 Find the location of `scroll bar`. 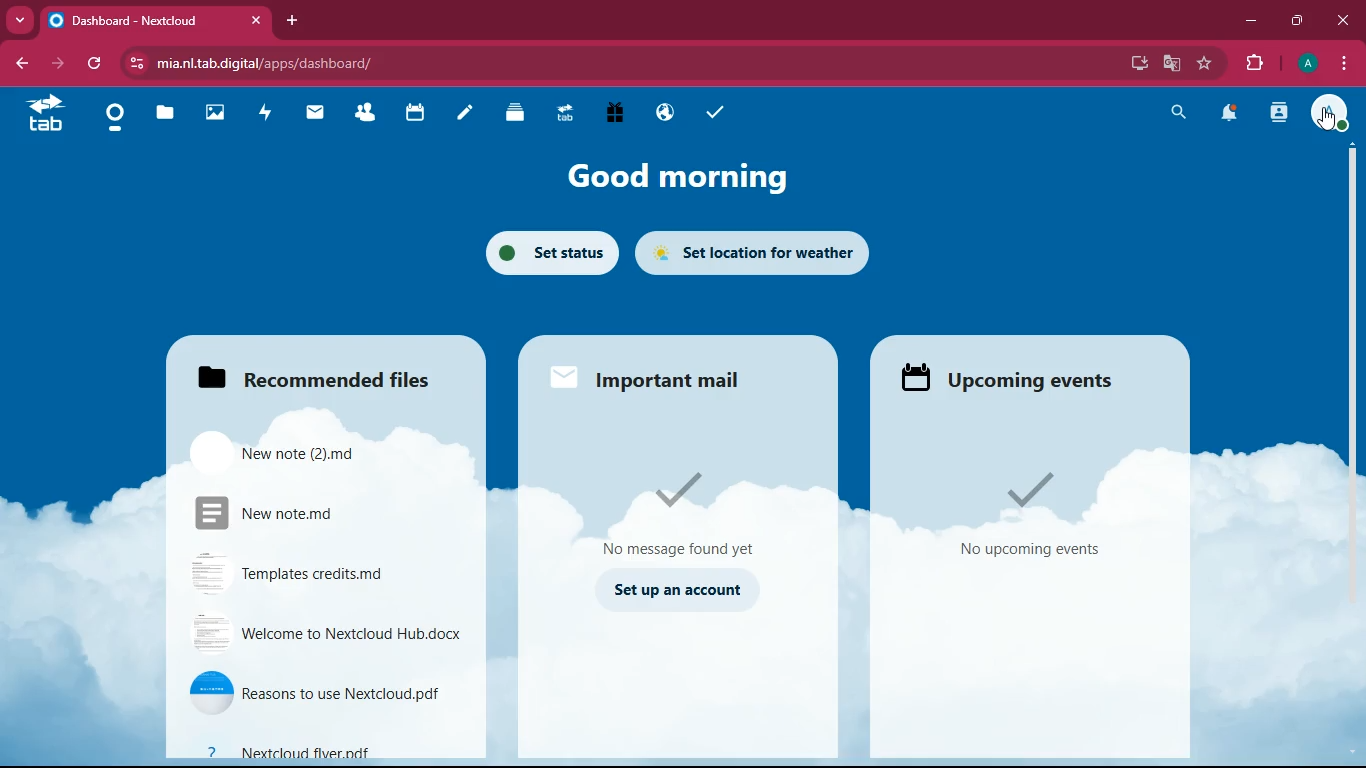

scroll bar is located at coordinates (1351, 451).